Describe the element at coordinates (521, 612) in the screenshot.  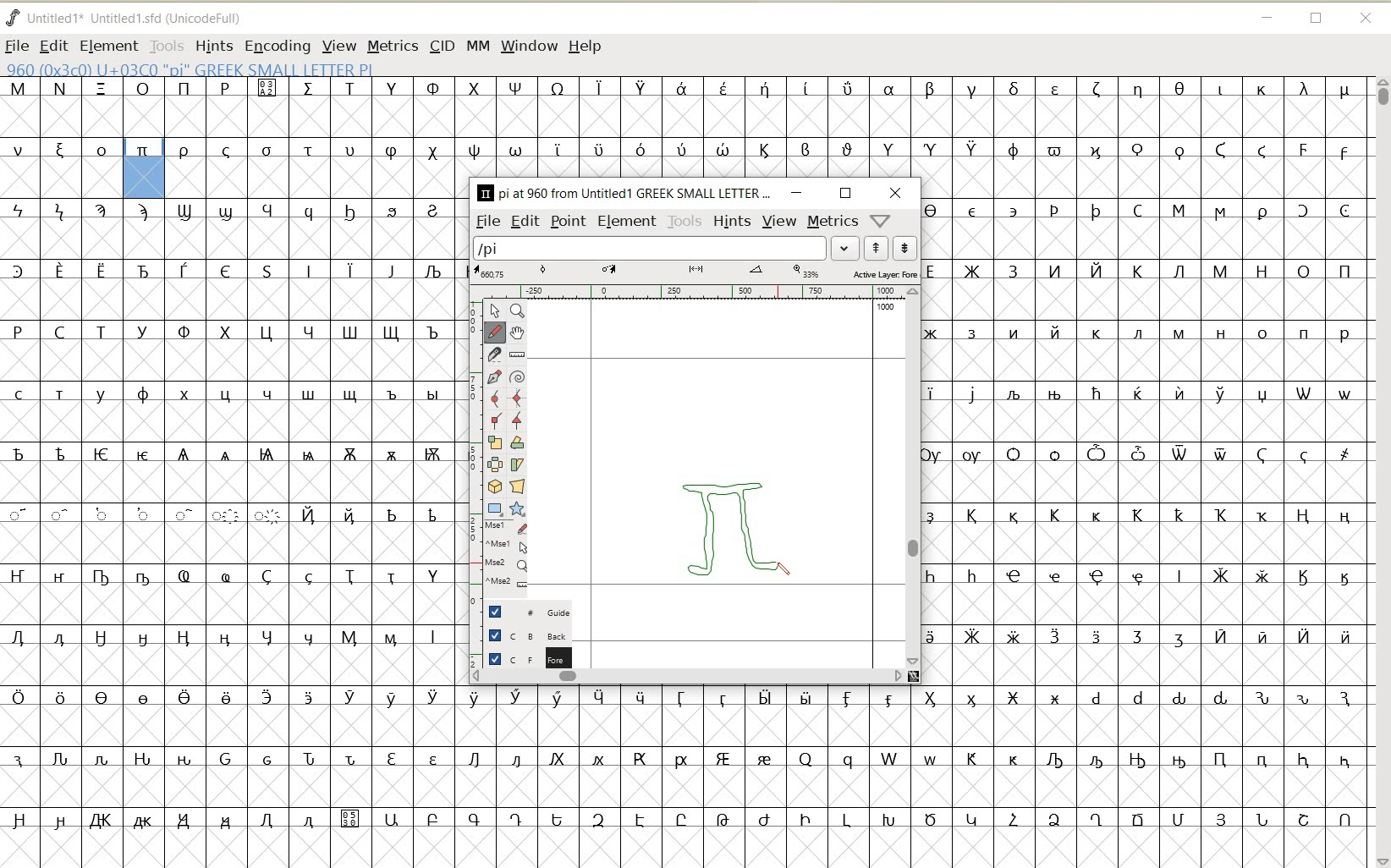
I see `GUIDE` at that location.